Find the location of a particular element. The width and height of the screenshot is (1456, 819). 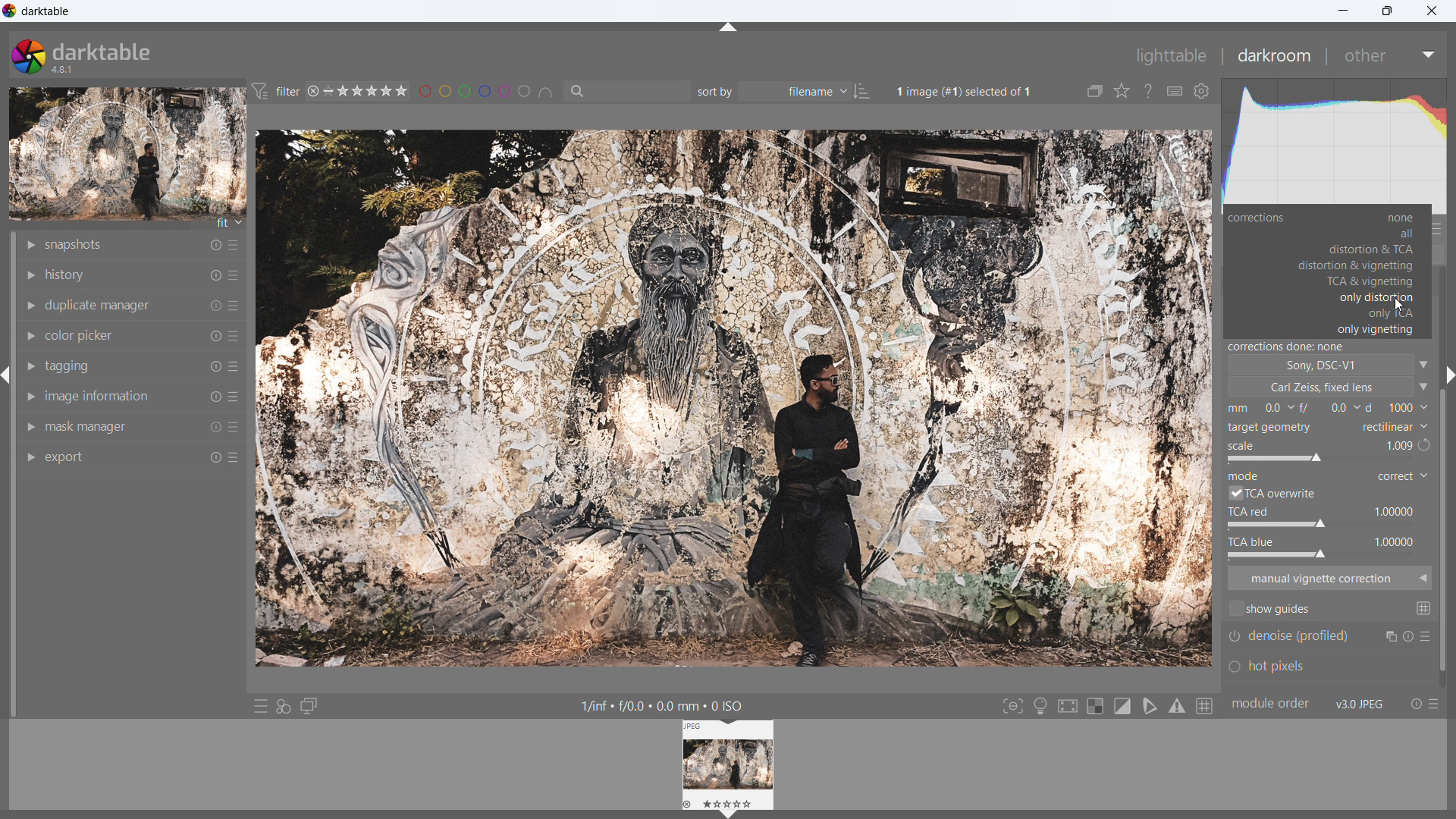

toggle high quality processing is located at coordinates (1068, 706).